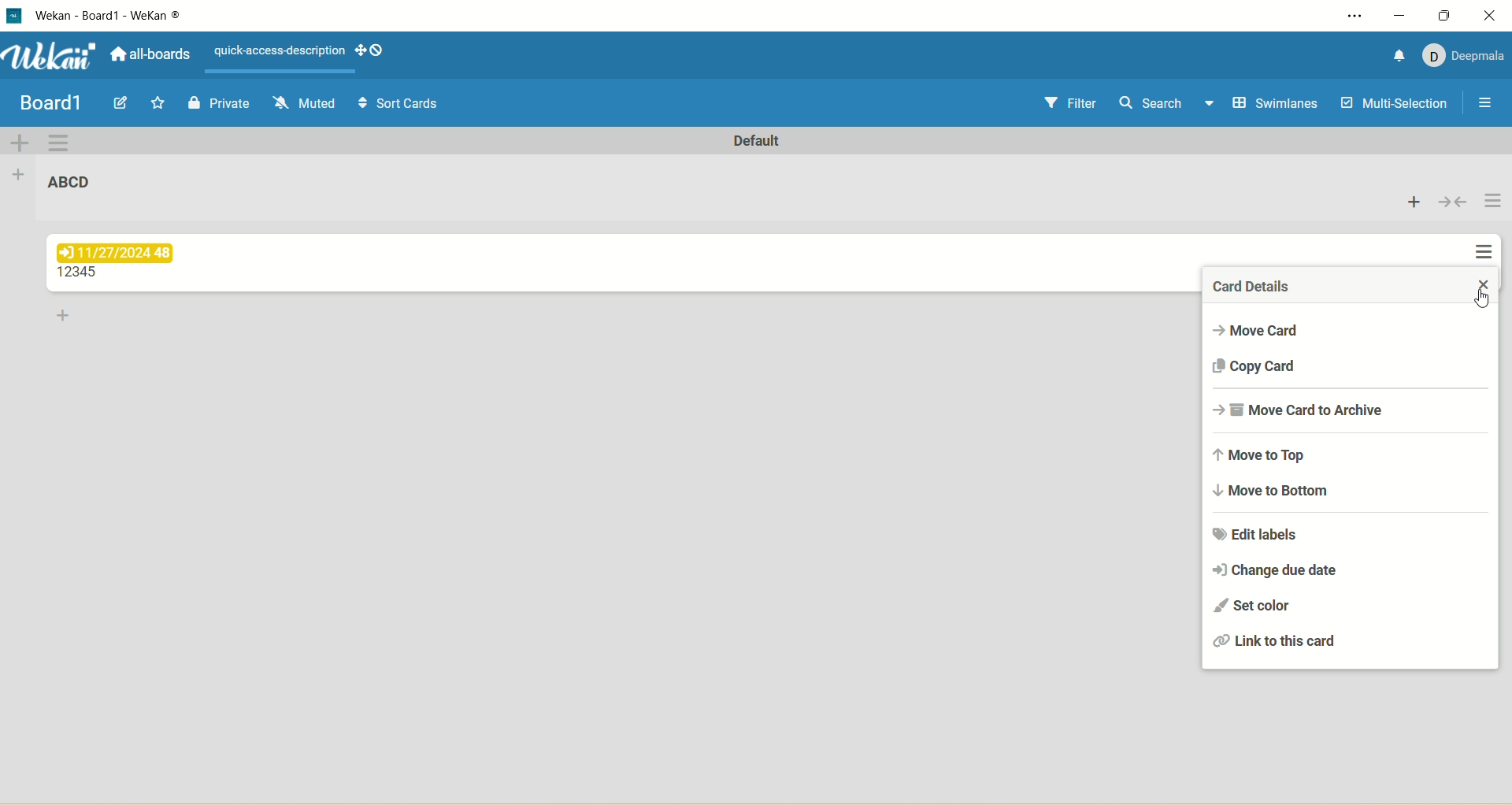 Image resolution: width=1512 pixels, height=805 pixels. I want to click on board1, so click(50, 104).